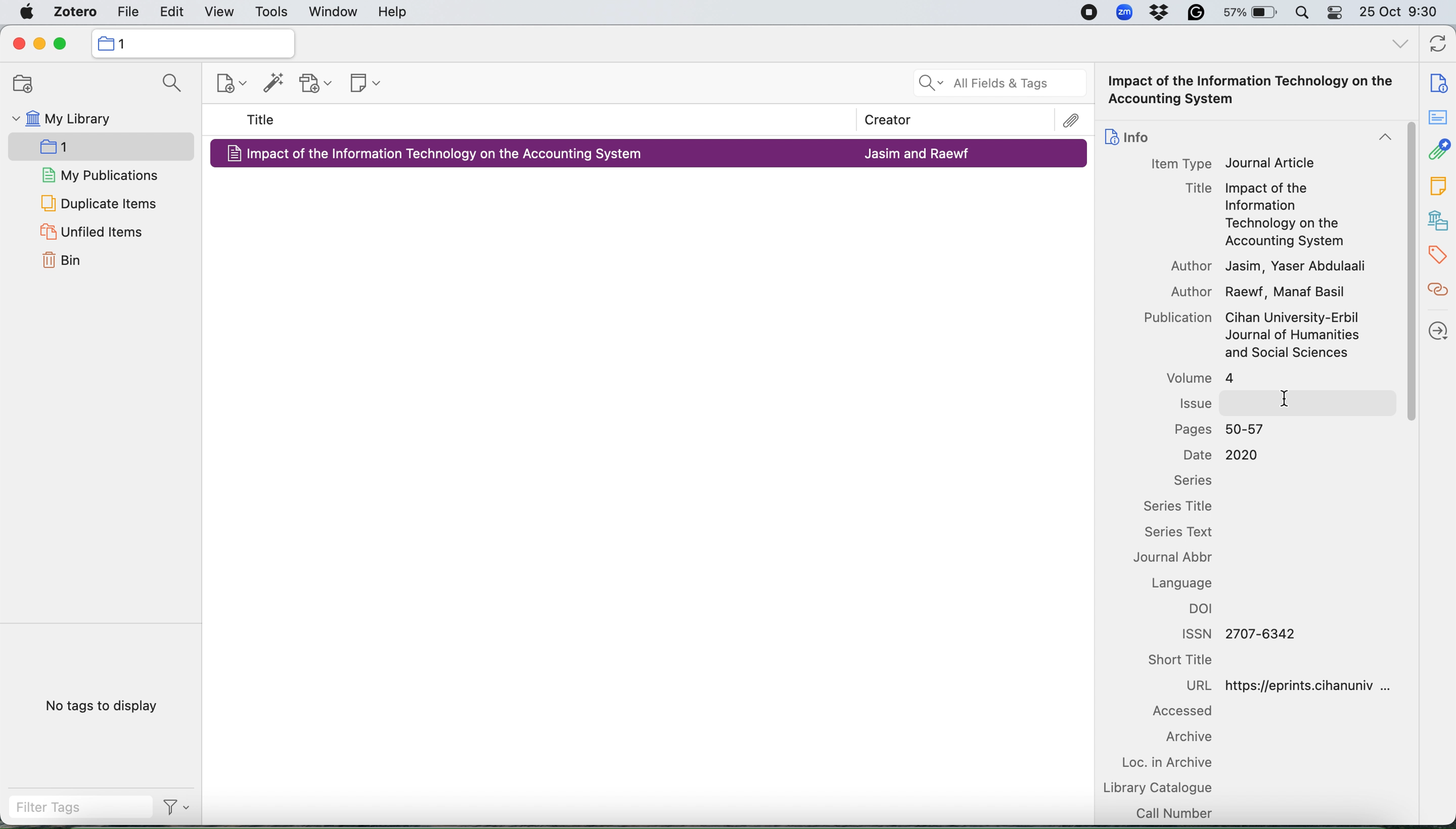  I want to click on view, so click(220, 10).